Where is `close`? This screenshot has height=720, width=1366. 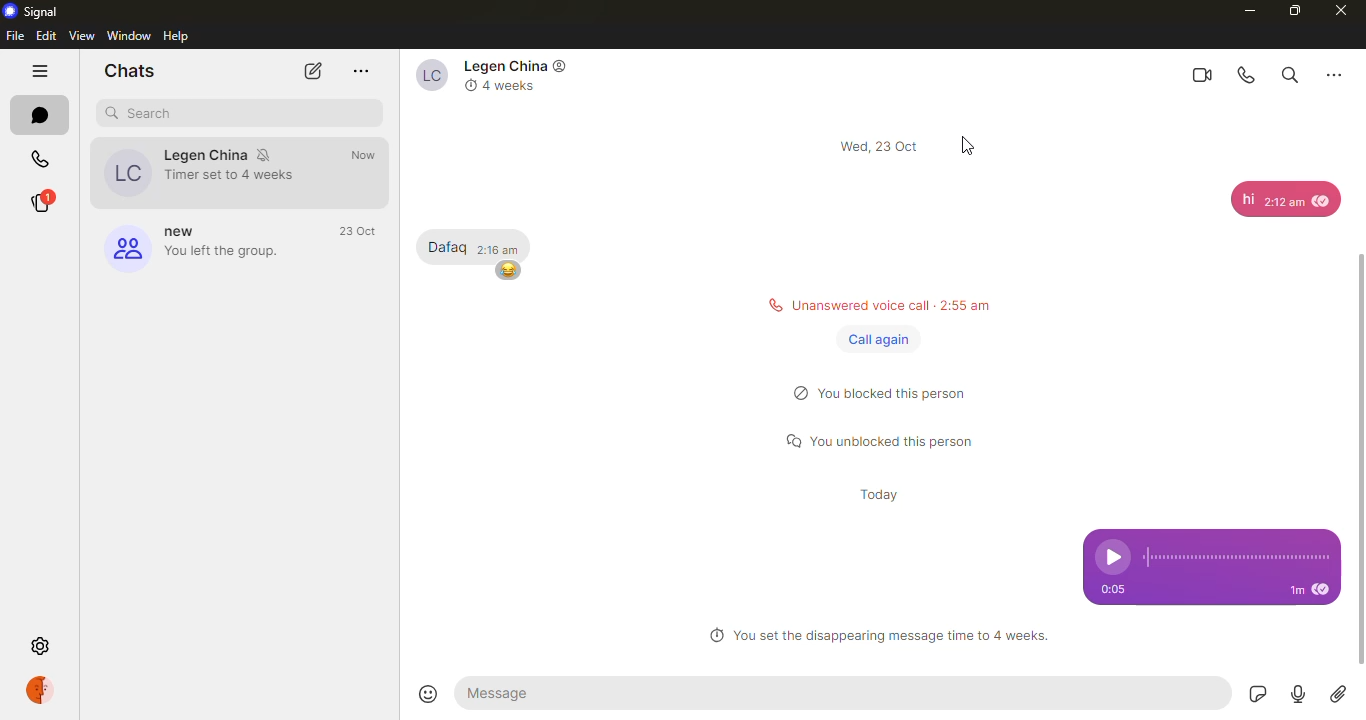 close is located at coordinates (1342, 11).